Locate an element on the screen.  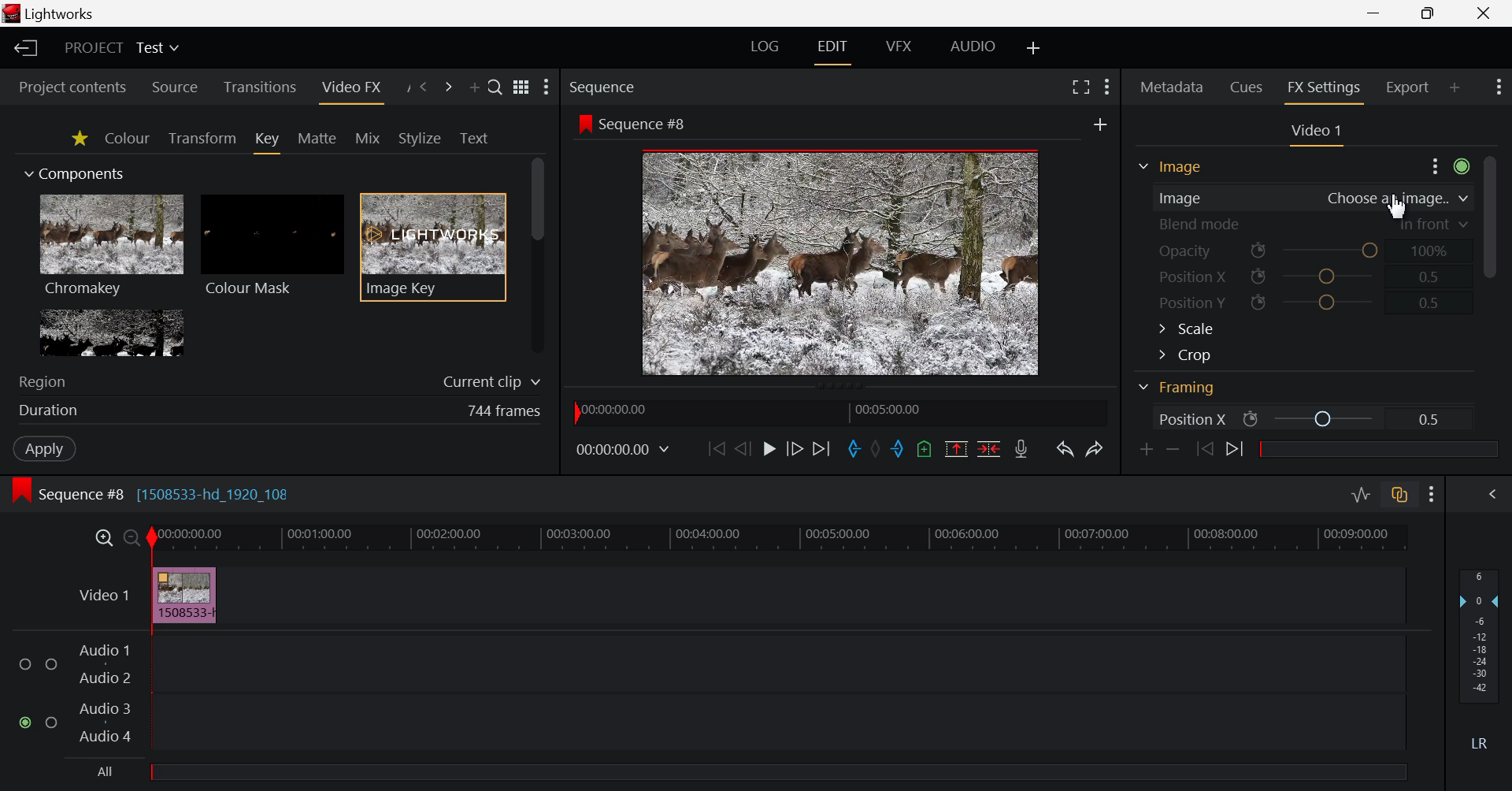
Blend mode is located at coordinates (1199, 221).